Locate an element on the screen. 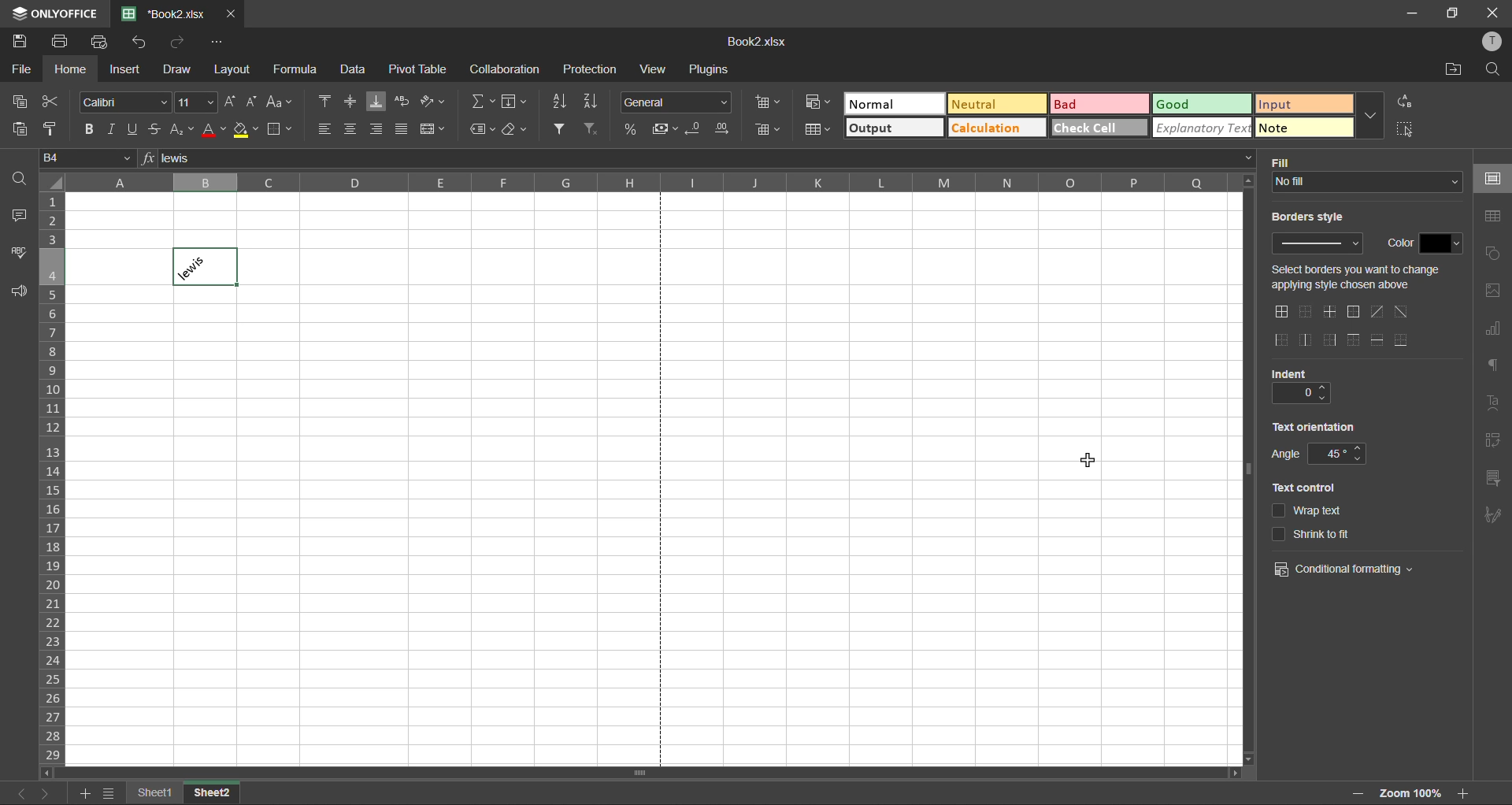 This screenshot has height=805, width=1512. align right is located at coordinates (374, 128).